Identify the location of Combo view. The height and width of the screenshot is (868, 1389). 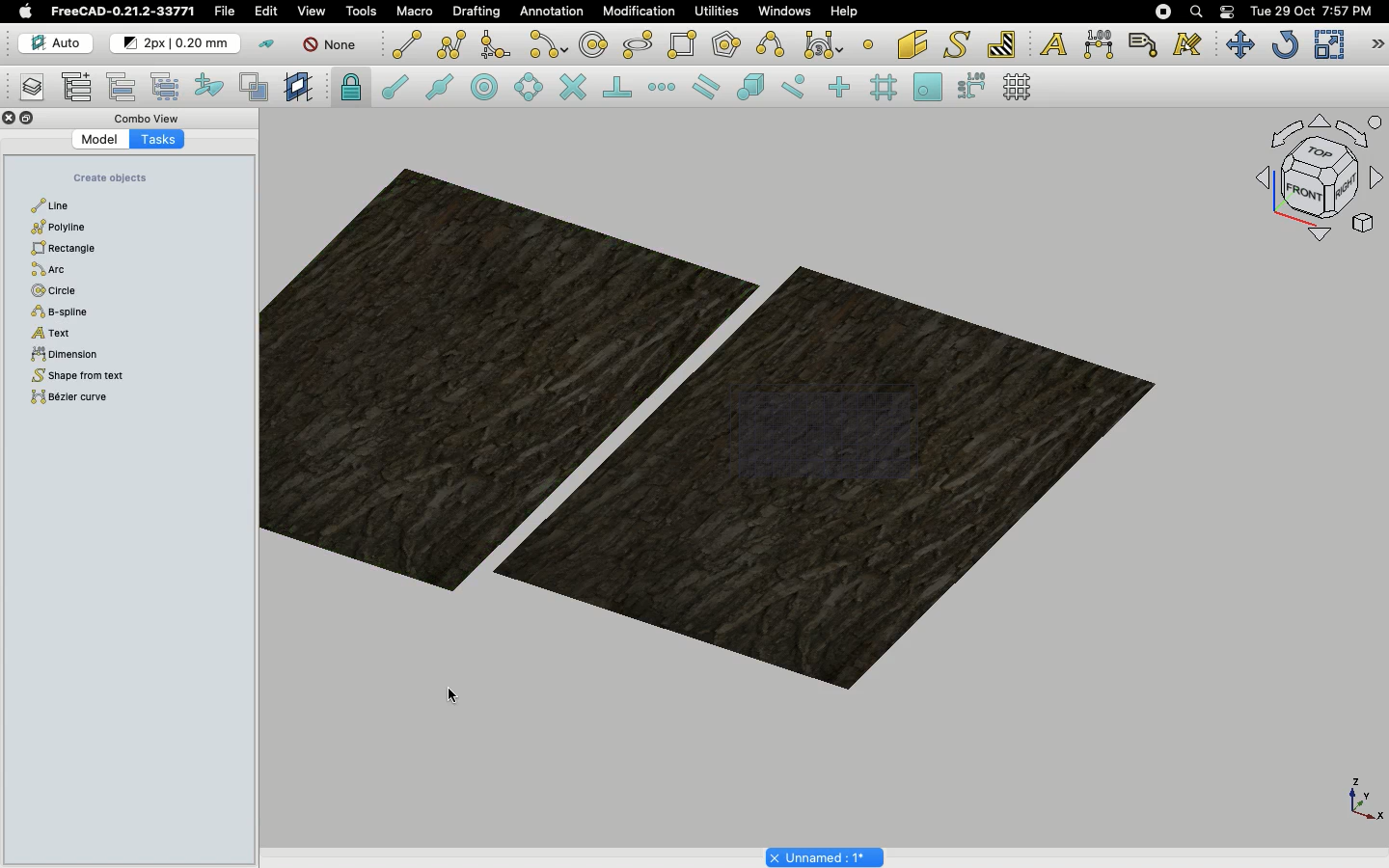
(149, 118).